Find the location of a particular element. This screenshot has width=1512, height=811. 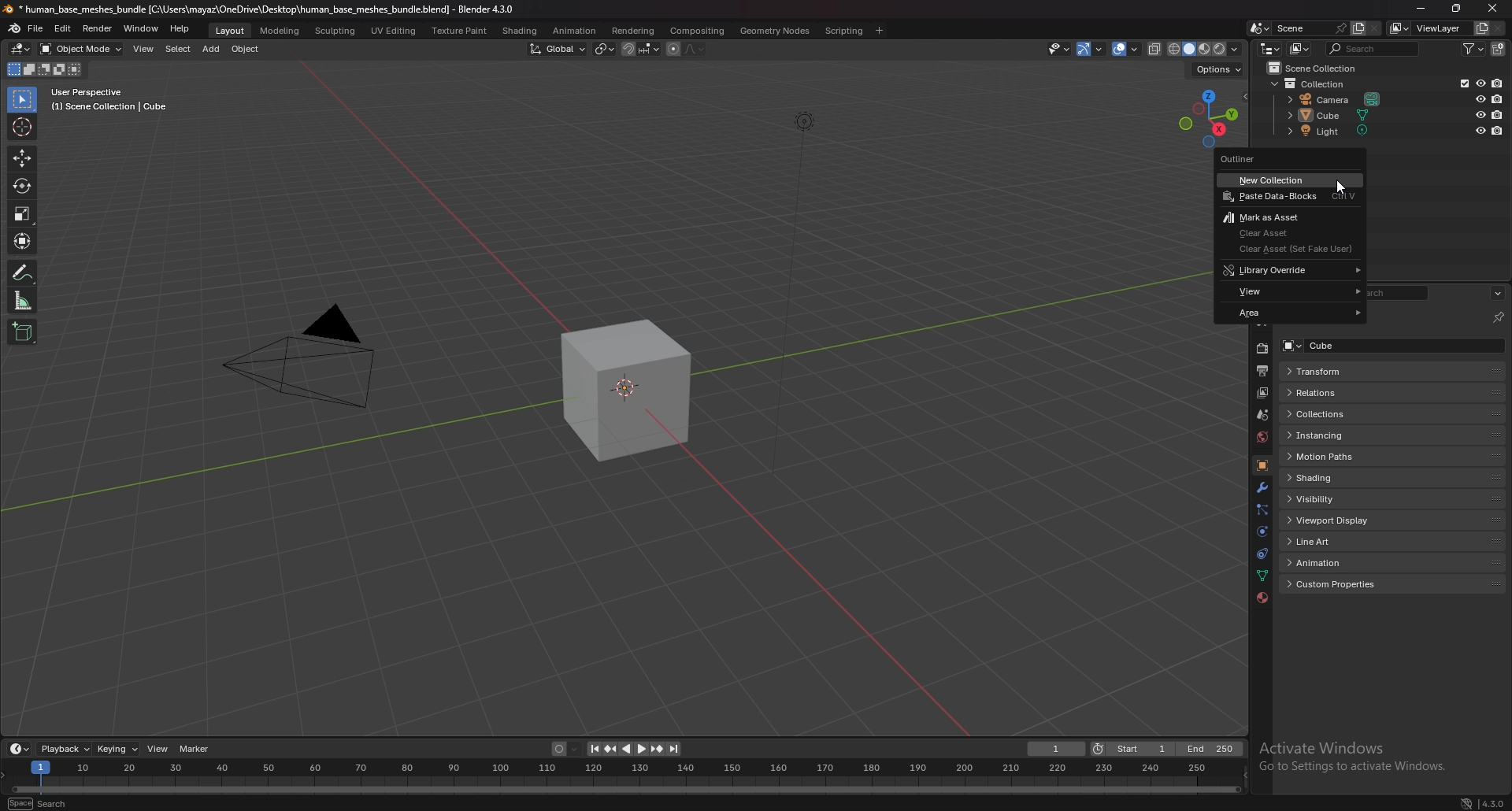

add scene is located at coordinates (1358, 28).